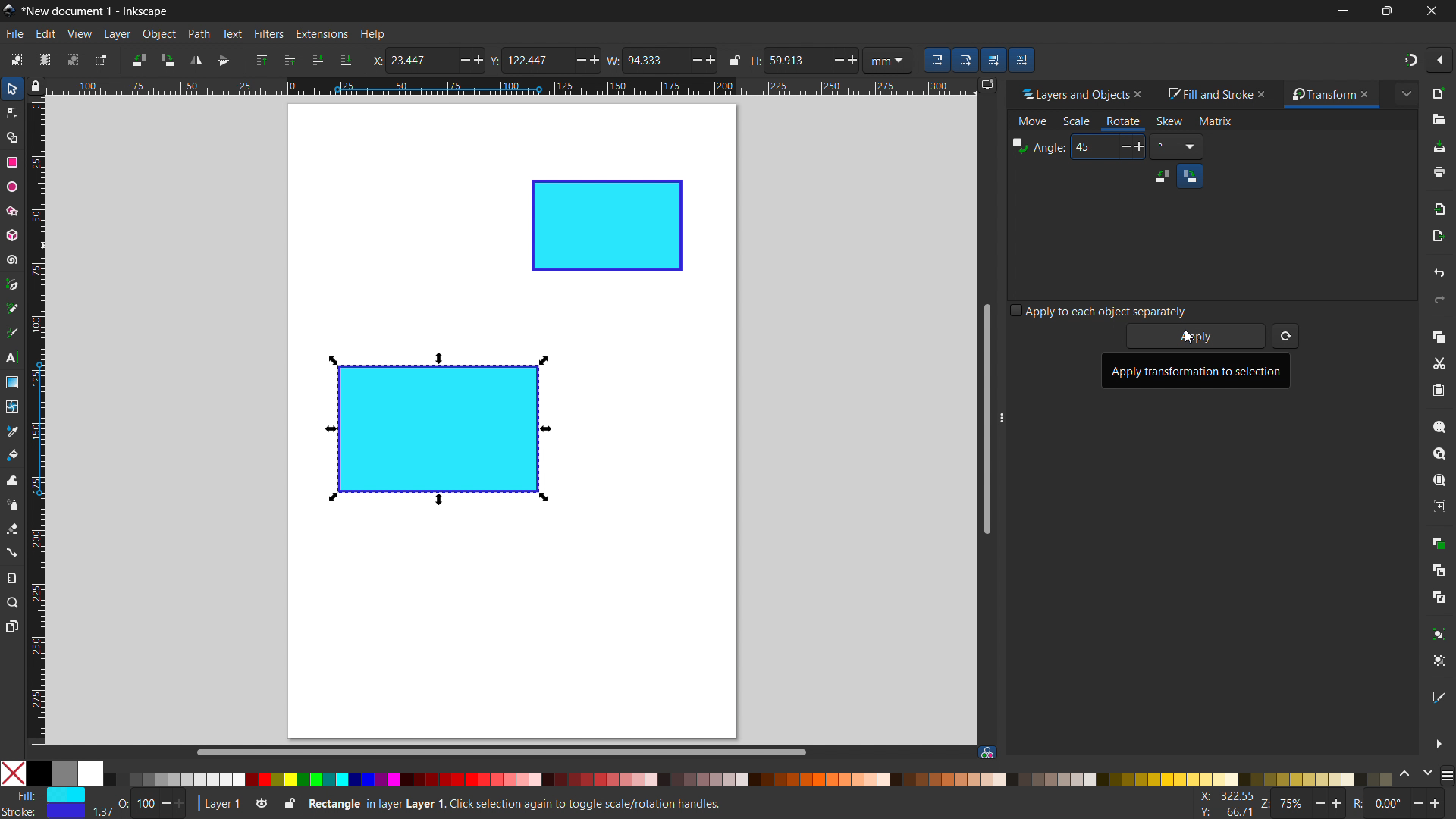 This screenshot has width=1456, height=819. What do you see at coordinates (1411, 60) in the screenshot?
I see `snapping` at bounding box center [1411, 60].